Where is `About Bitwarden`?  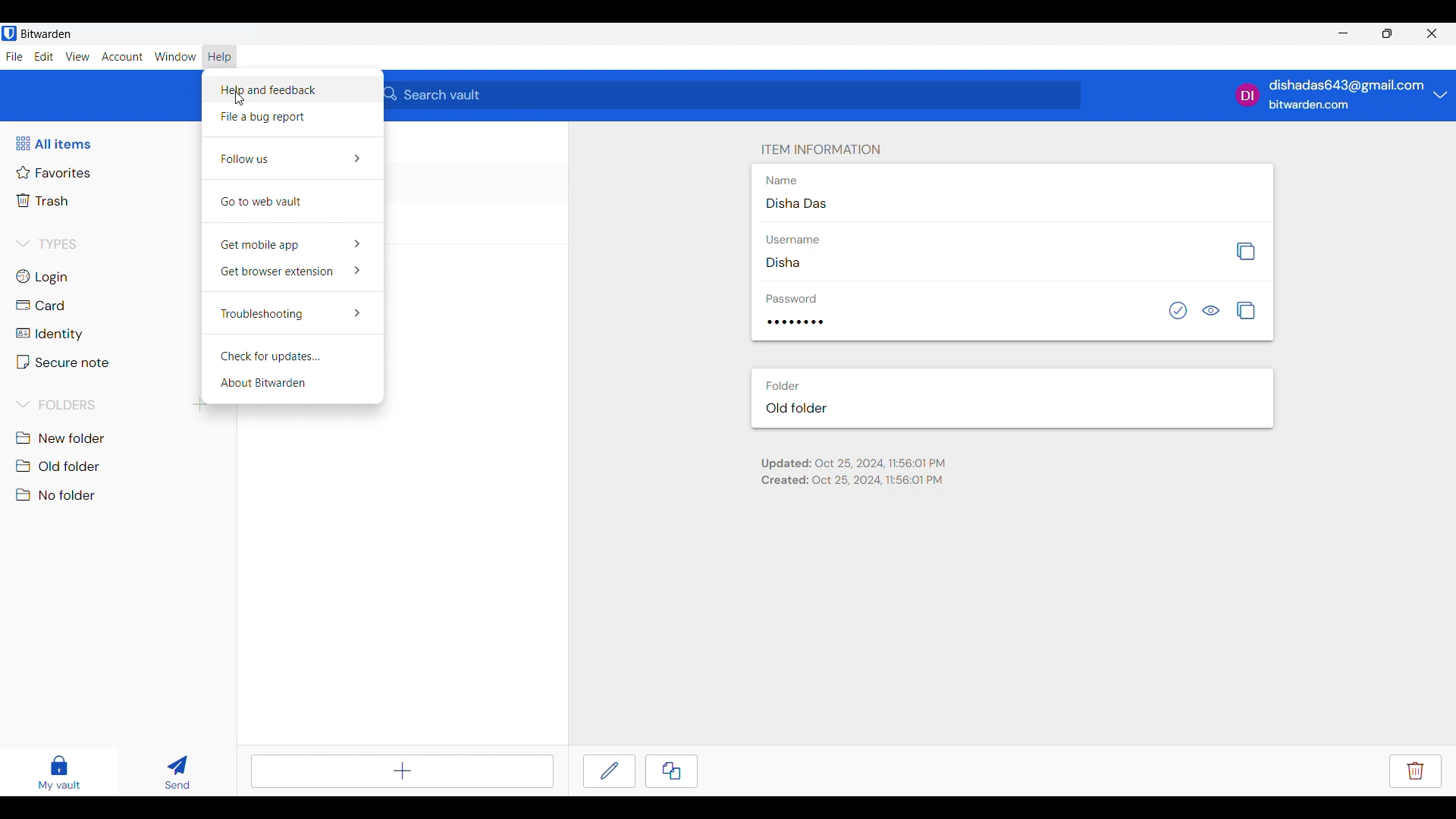 About Bitwarden is located at coordinates (293, 384).